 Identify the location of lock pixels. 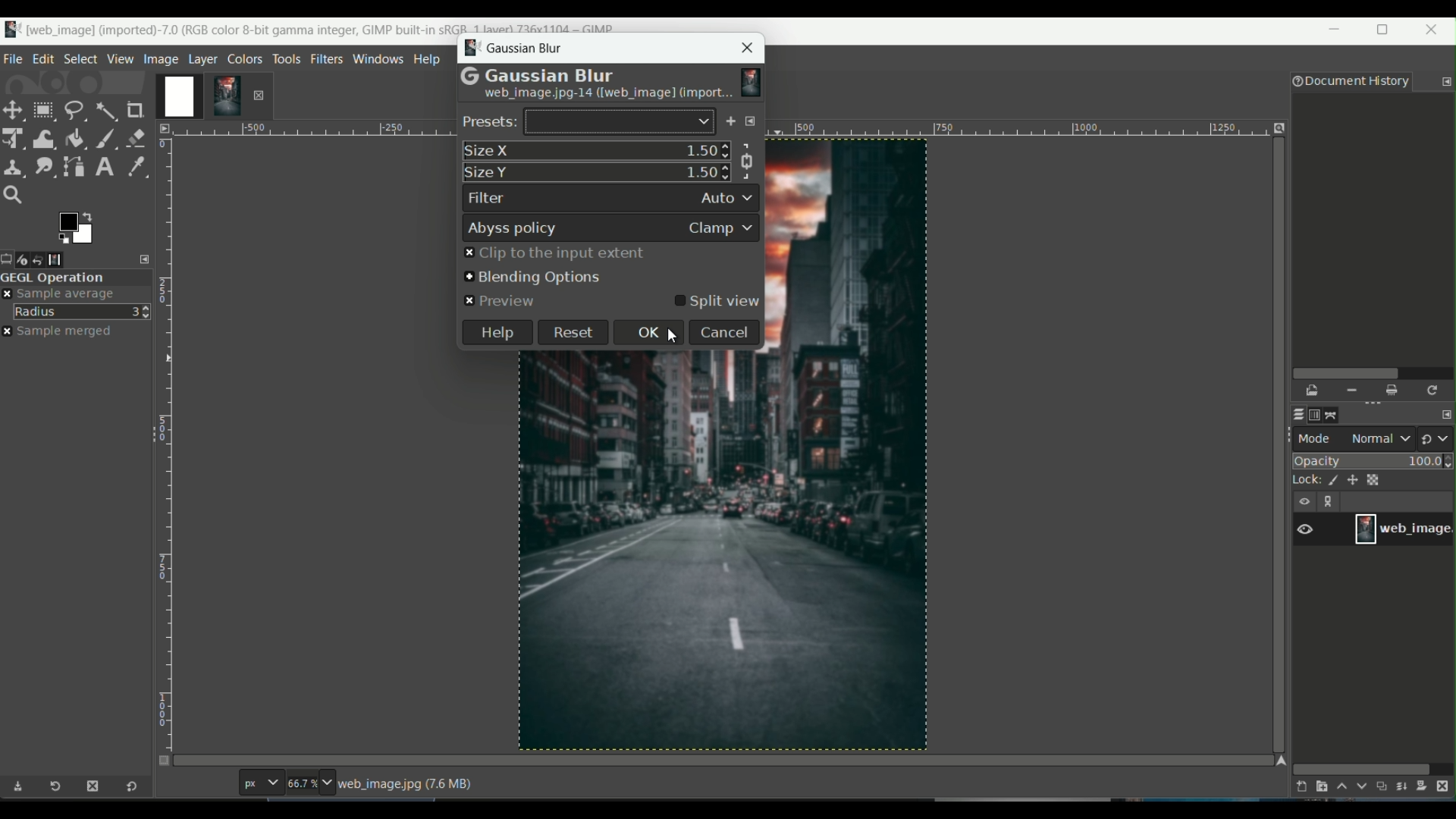
(1329, 482).